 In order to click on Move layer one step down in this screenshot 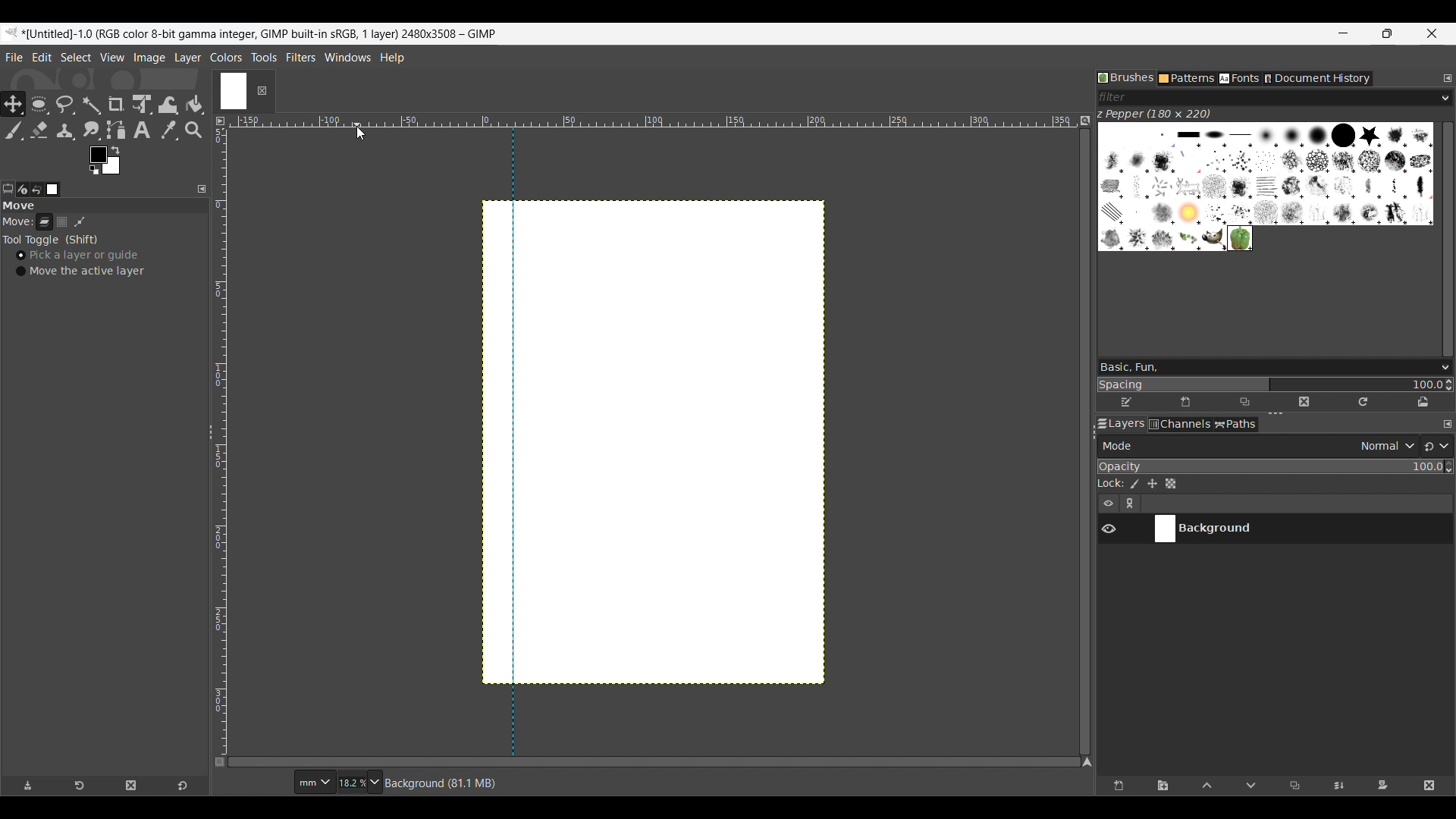, I will do `click(1251, 786)`.